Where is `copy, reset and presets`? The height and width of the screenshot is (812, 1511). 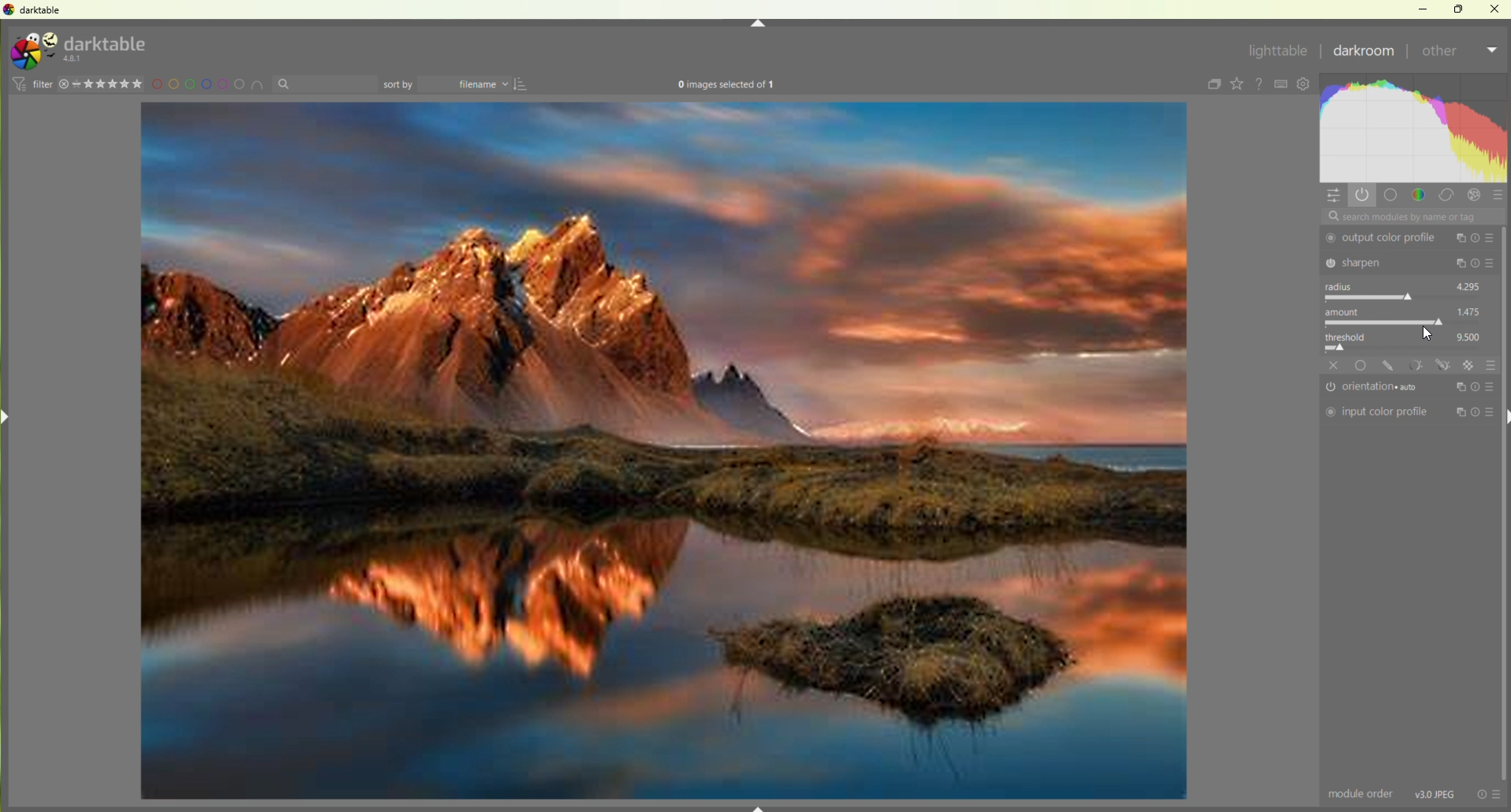
copy, reset and presets is located at coordinates (1476, 386).